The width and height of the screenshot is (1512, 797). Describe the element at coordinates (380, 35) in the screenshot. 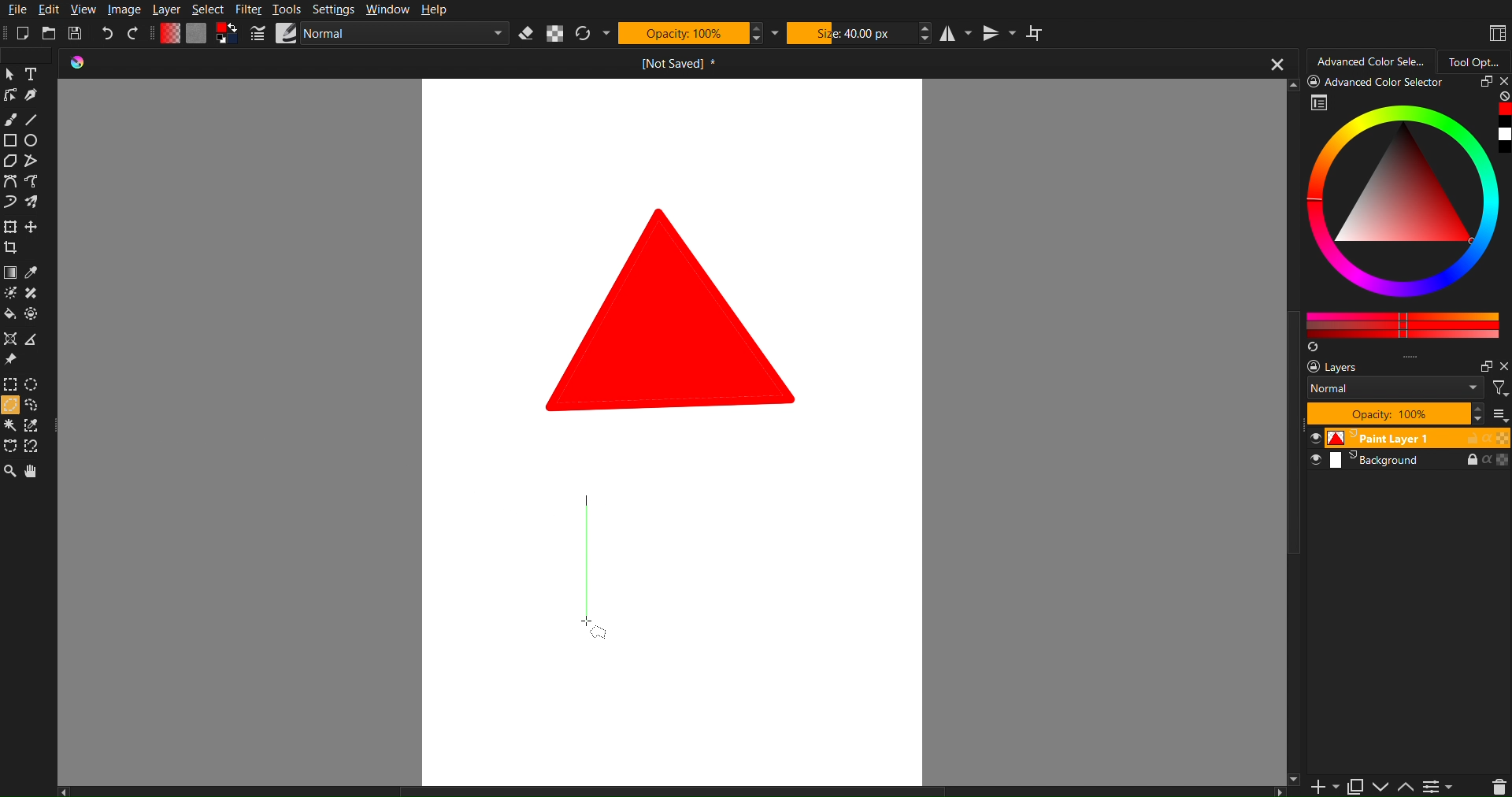

I see `Brush Settings` at that location.